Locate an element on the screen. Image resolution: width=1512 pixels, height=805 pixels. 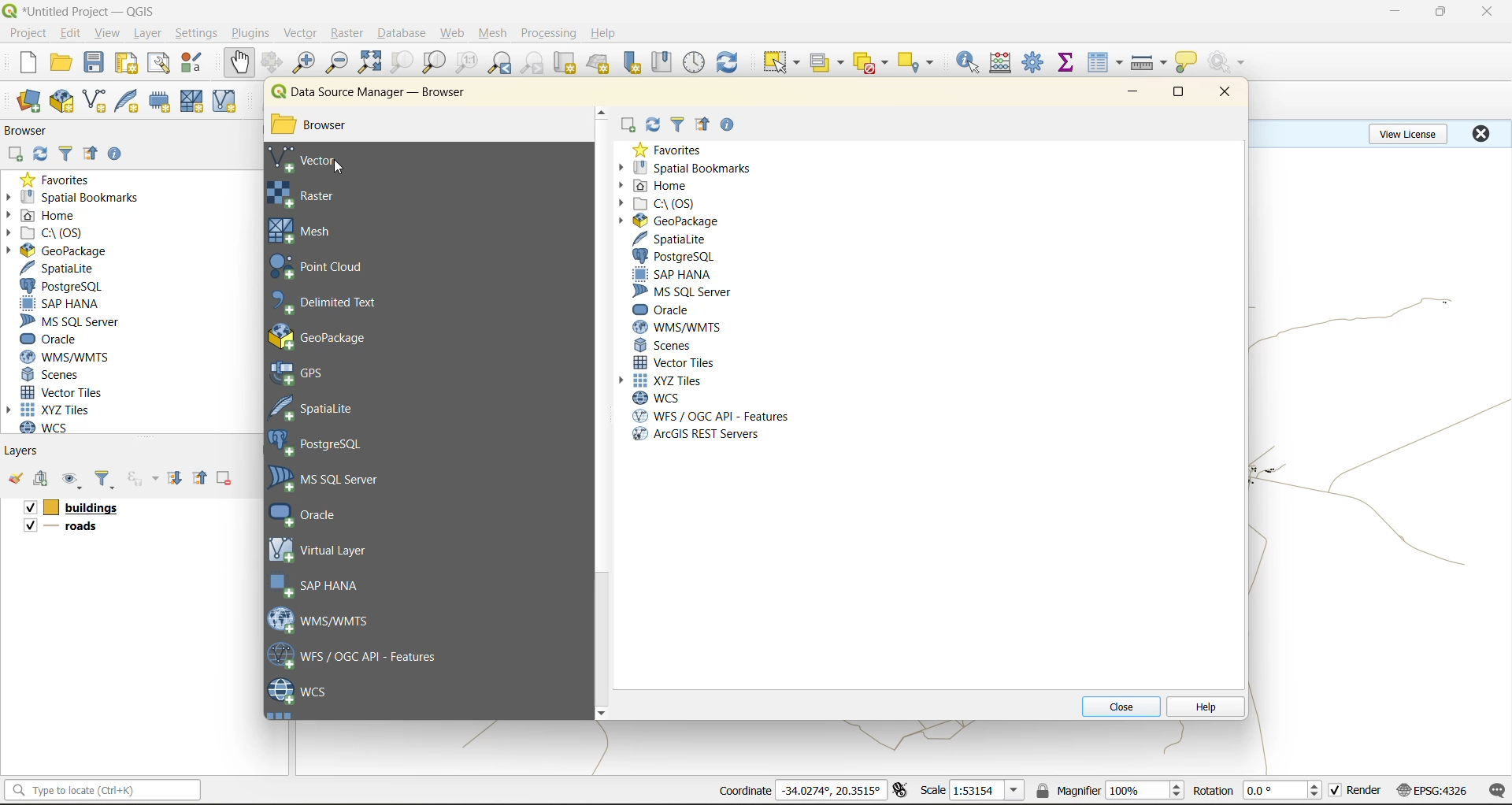
arcgis/ rest servers is located at coordinates (695, 435).